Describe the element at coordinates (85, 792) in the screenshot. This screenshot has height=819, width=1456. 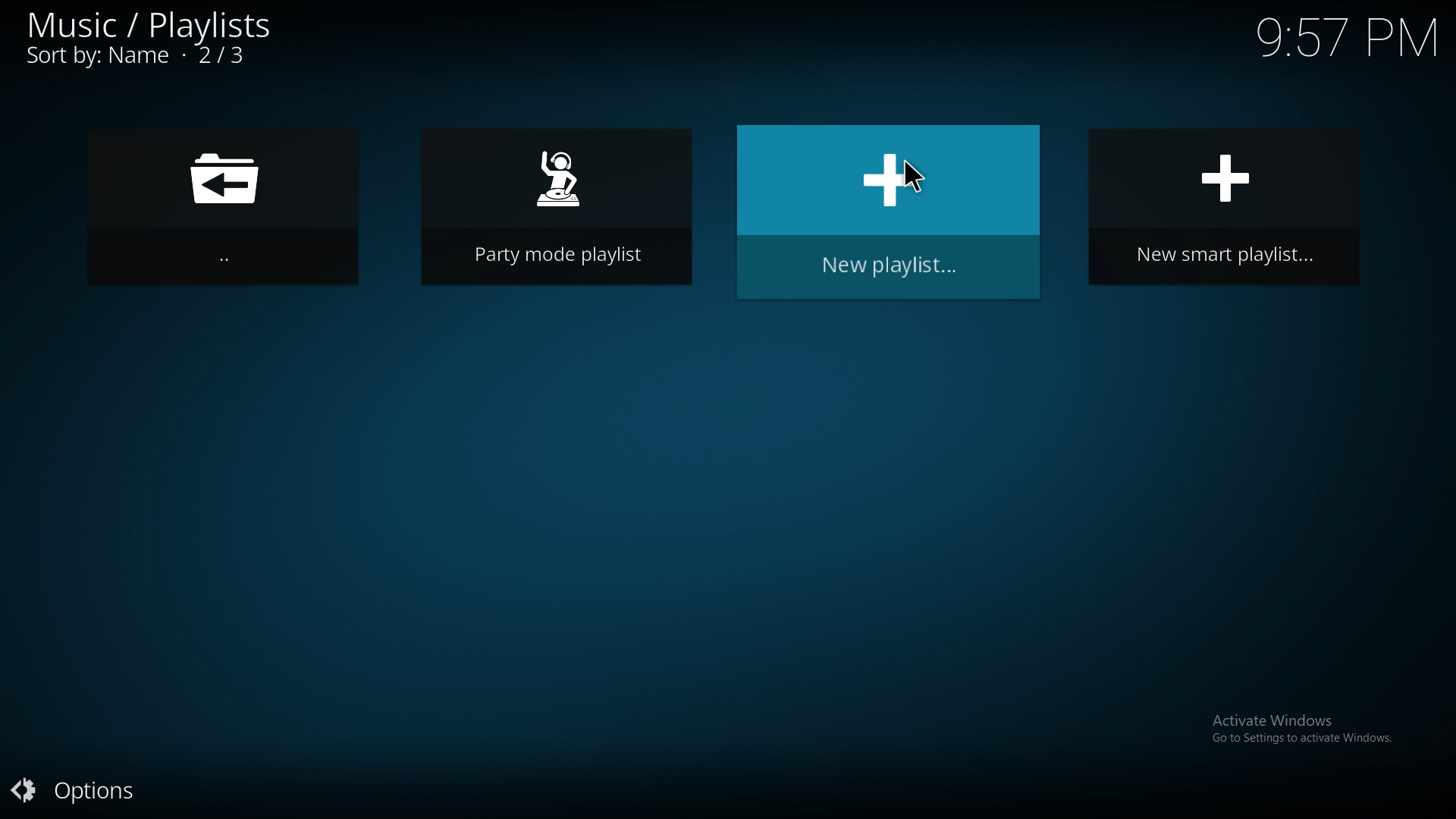
I see `options` at that location.